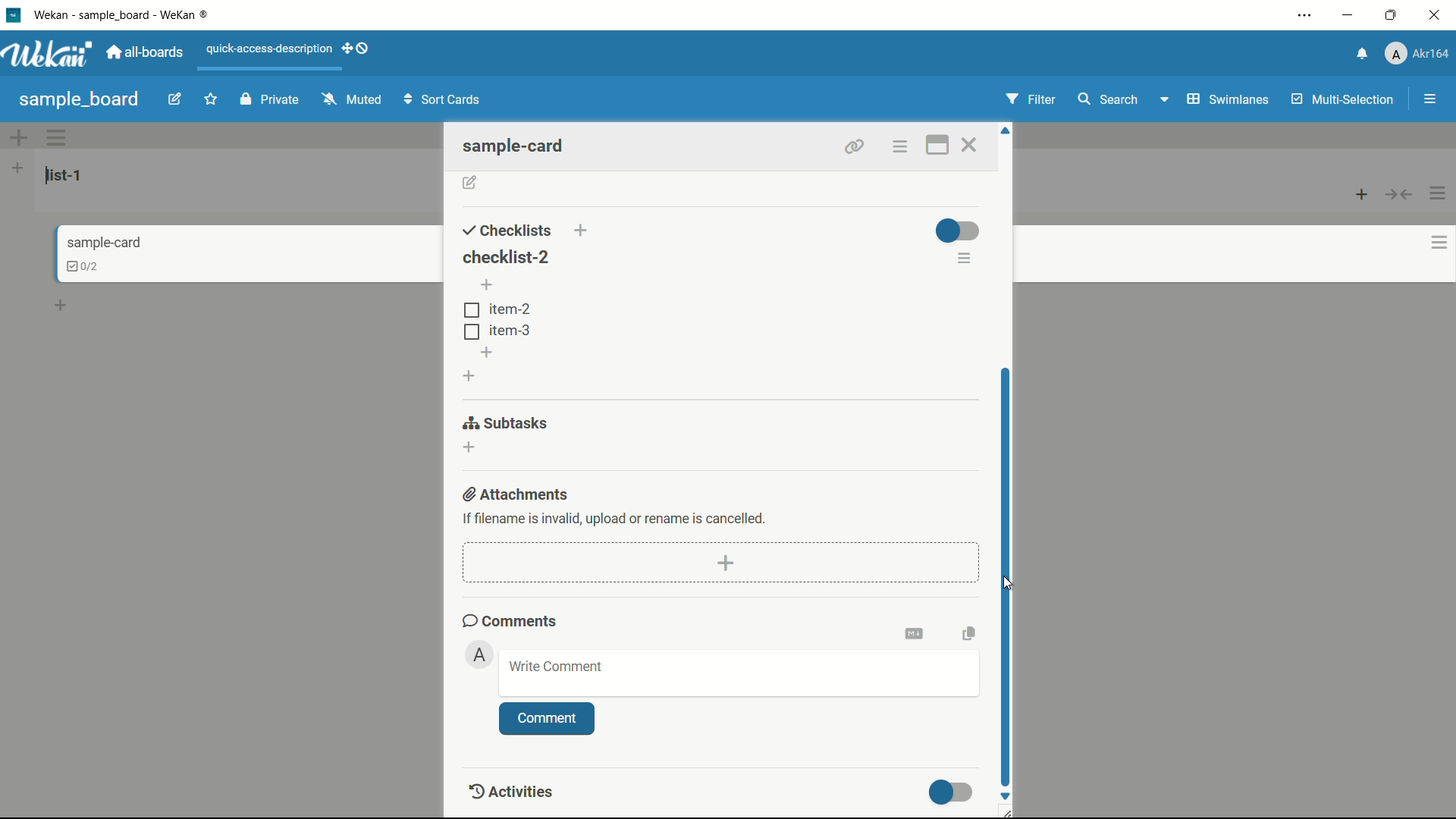 This screenshot has height=819, width=1456. I want to click on maximize card, so click(936, 145).